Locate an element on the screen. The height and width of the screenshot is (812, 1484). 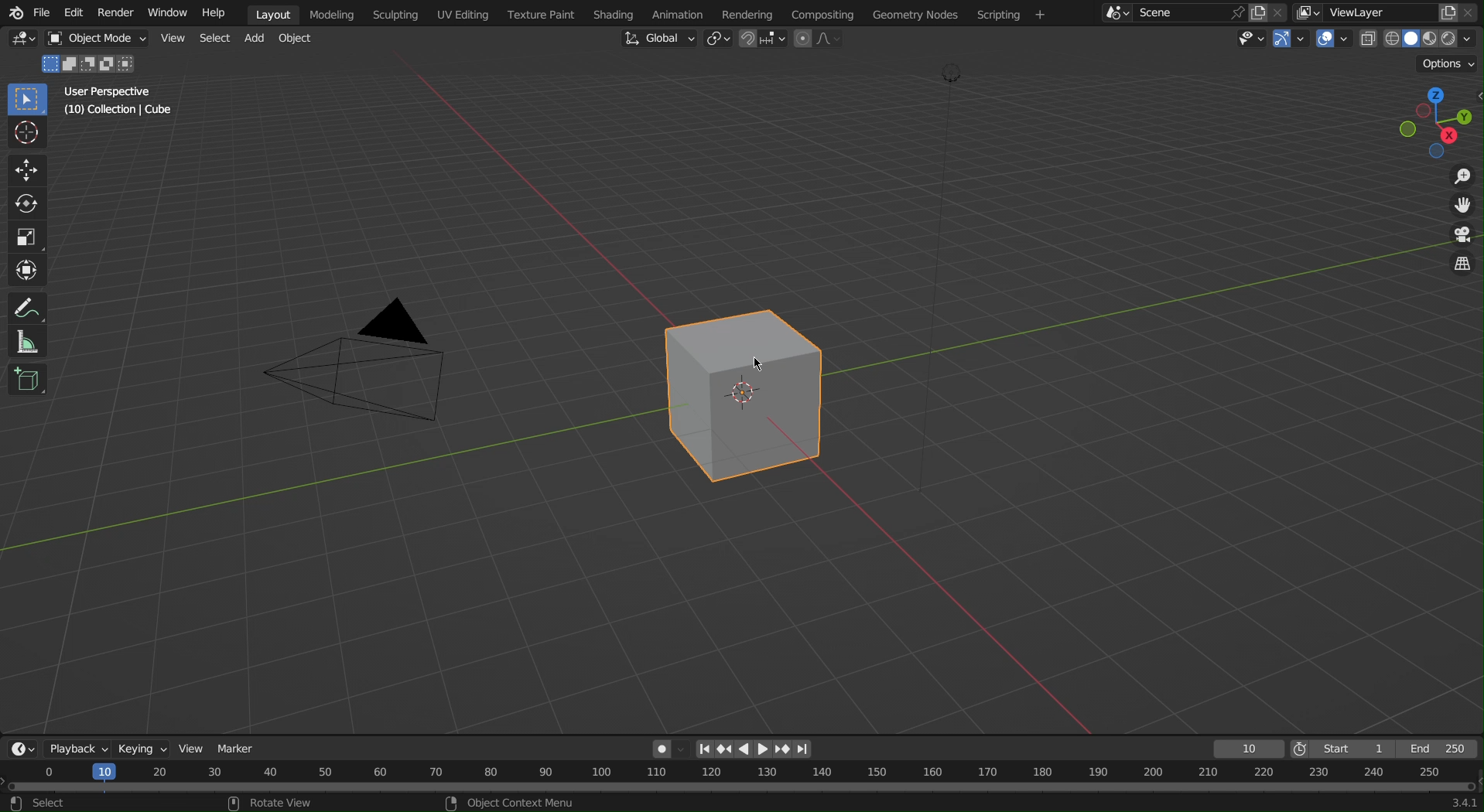
Shading is located at coordinates (615, 12).